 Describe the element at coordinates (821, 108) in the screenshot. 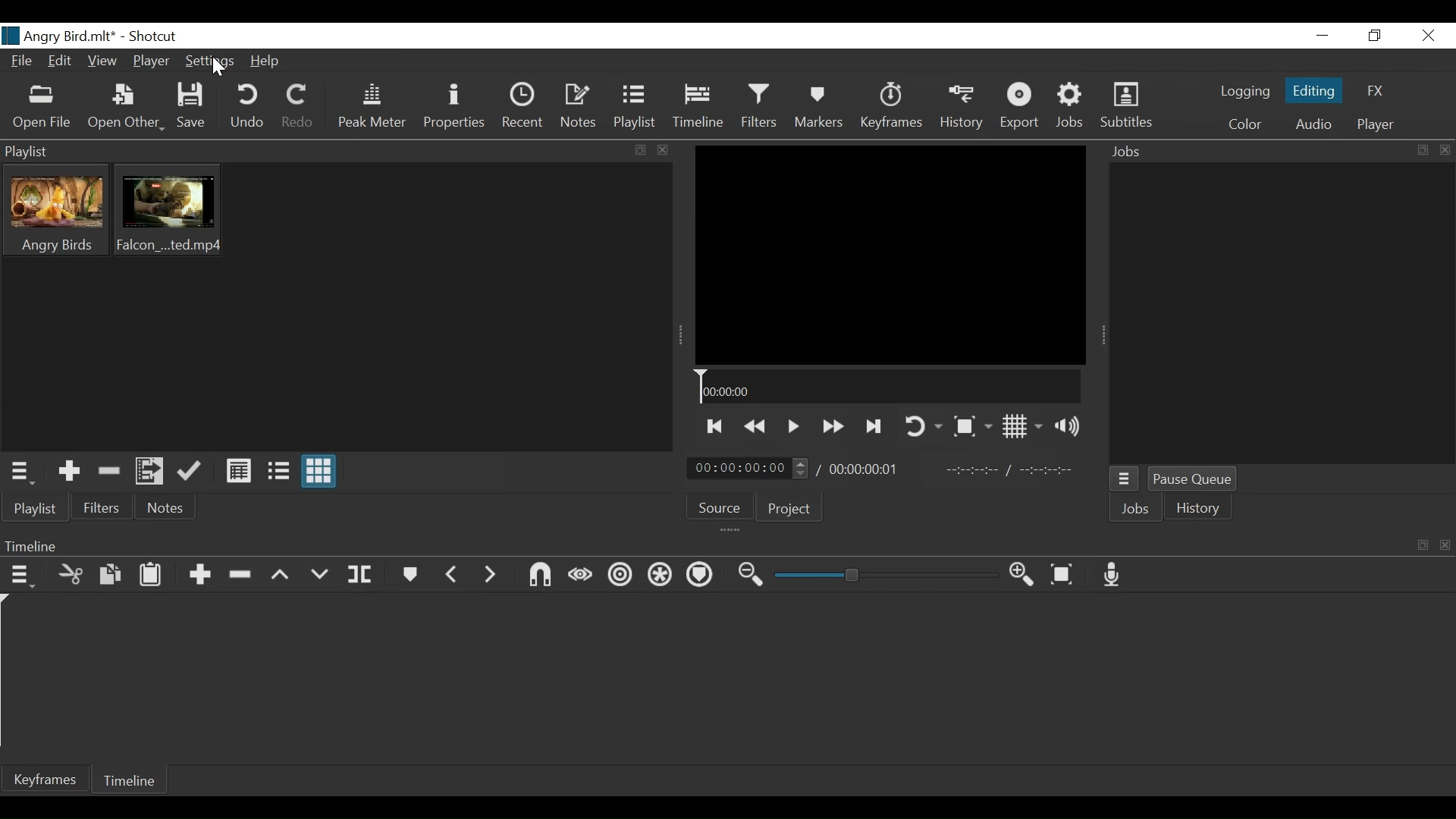

I see `Markers` at that location.